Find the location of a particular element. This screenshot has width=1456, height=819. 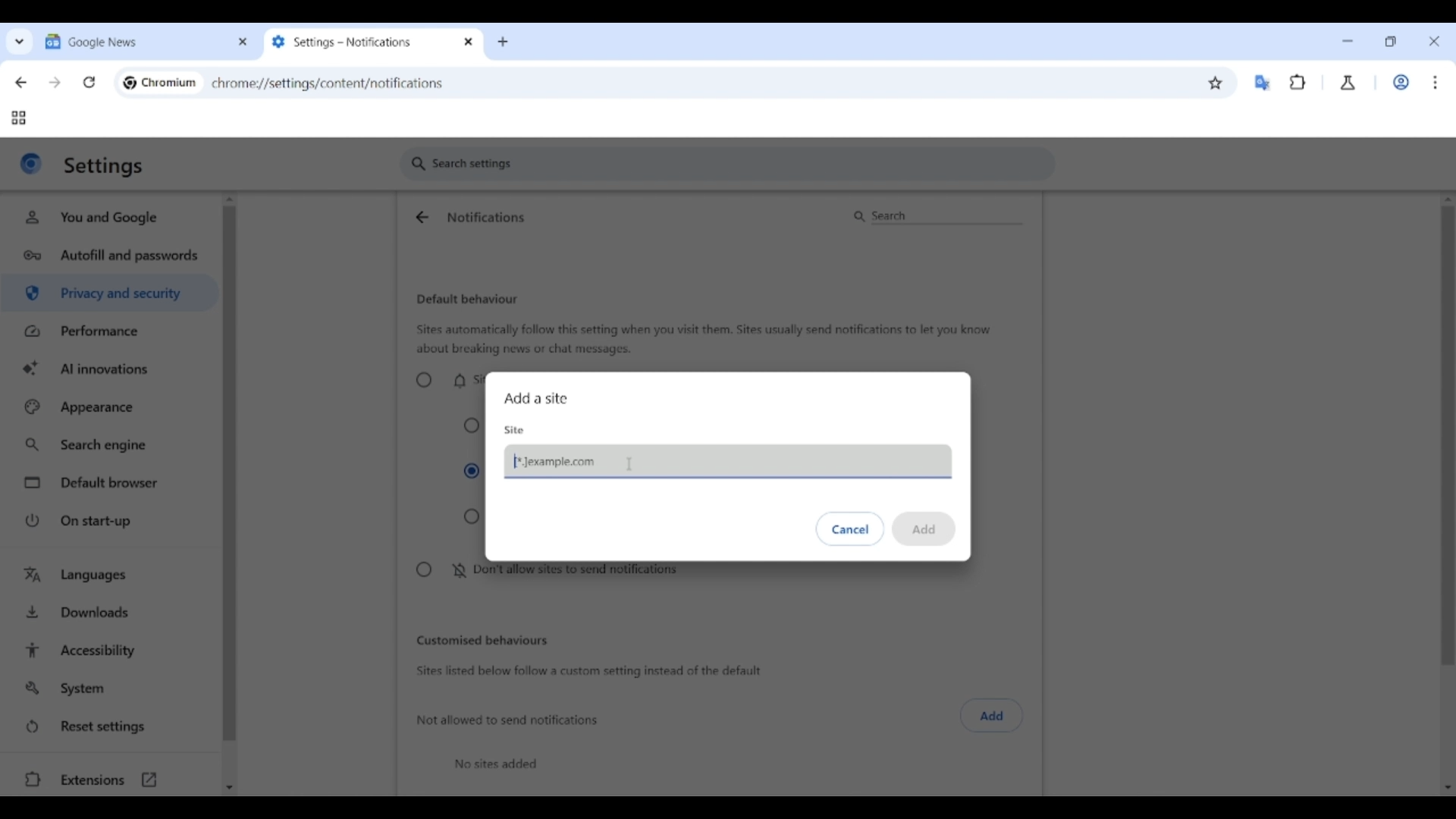

Add new tab is located at coordinates (503, 42).